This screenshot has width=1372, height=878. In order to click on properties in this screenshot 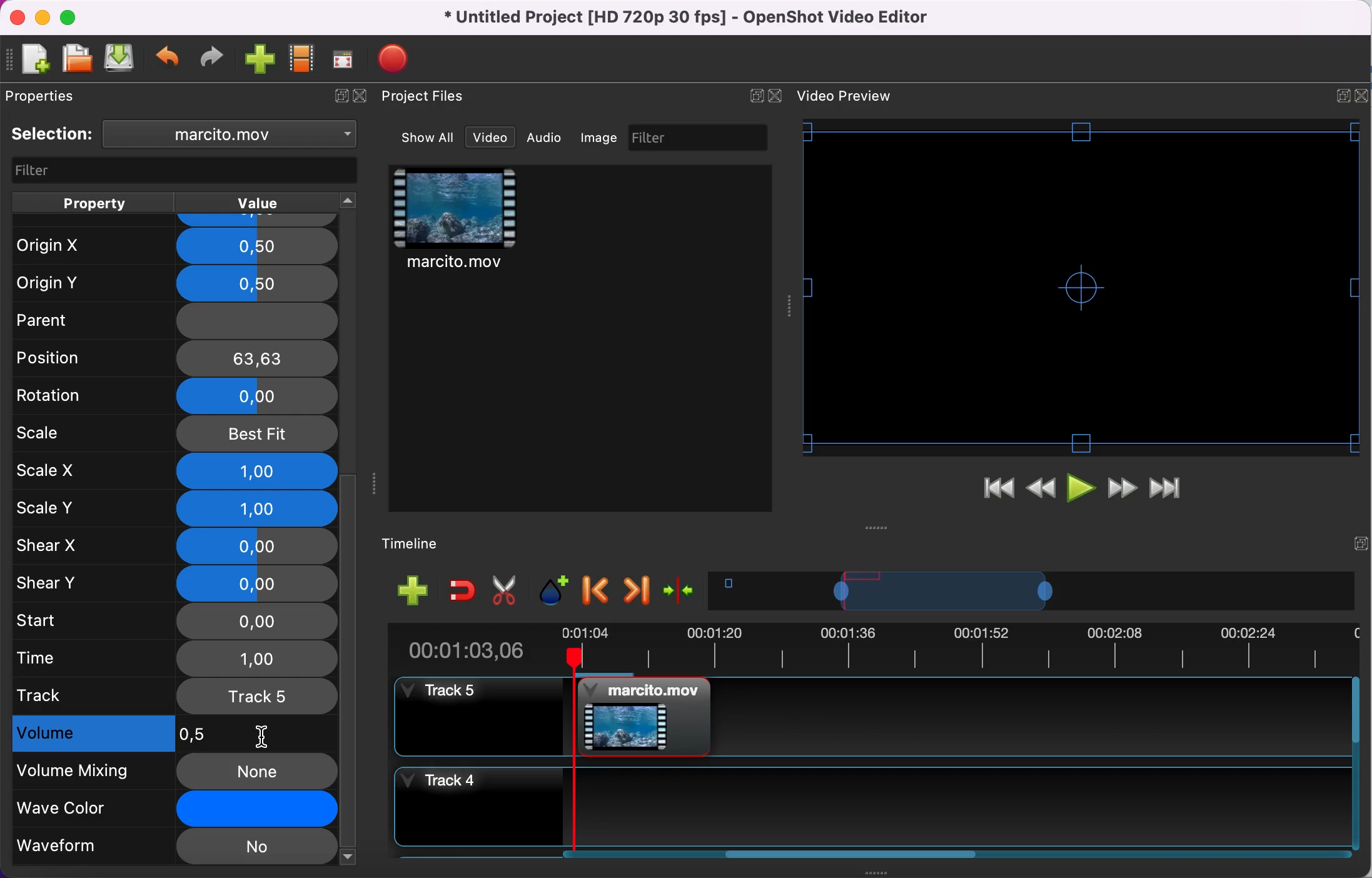, I will do `click(46, 96)`.